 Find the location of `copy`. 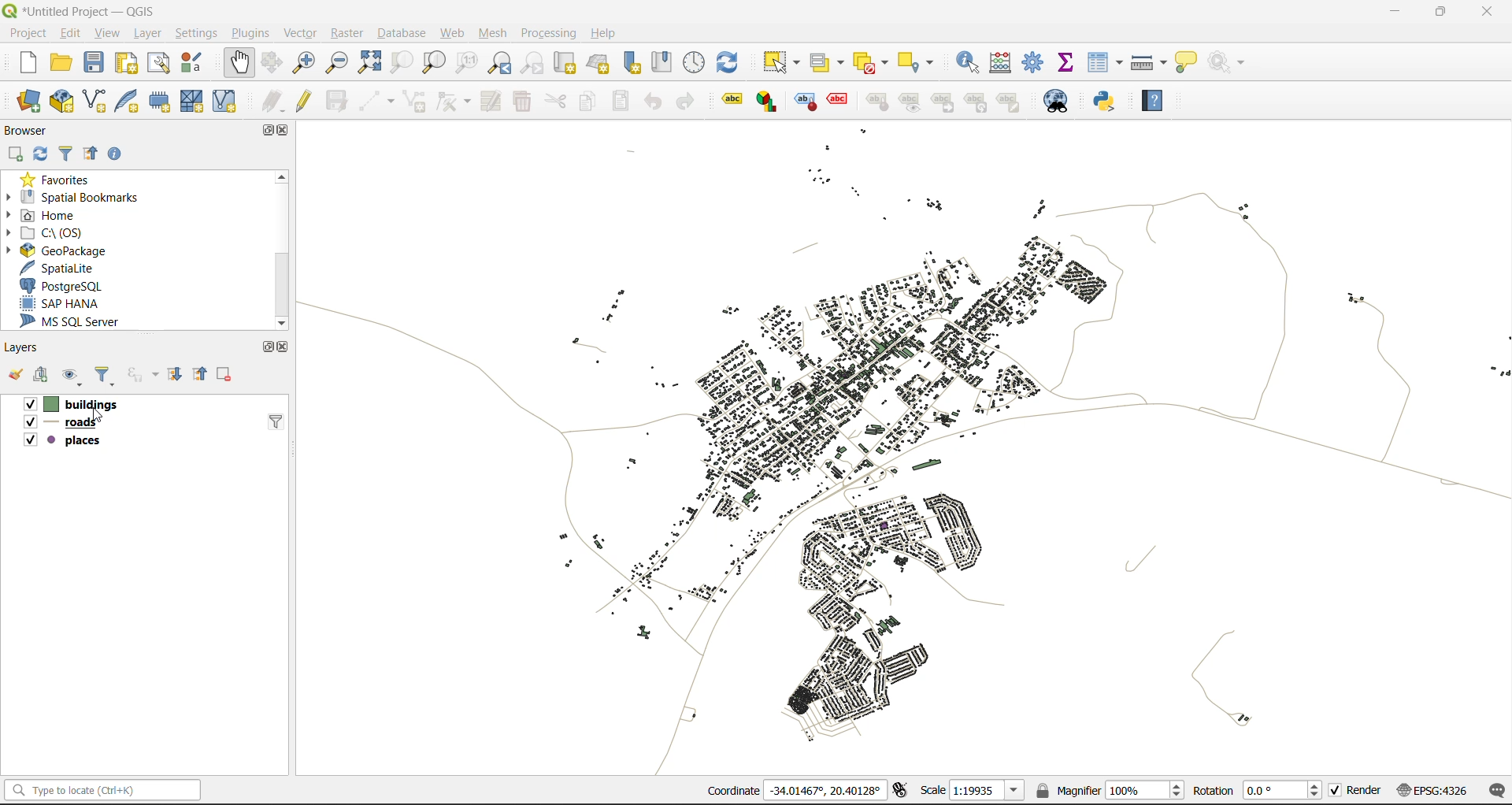

copy is located at coordinates (584, 102).